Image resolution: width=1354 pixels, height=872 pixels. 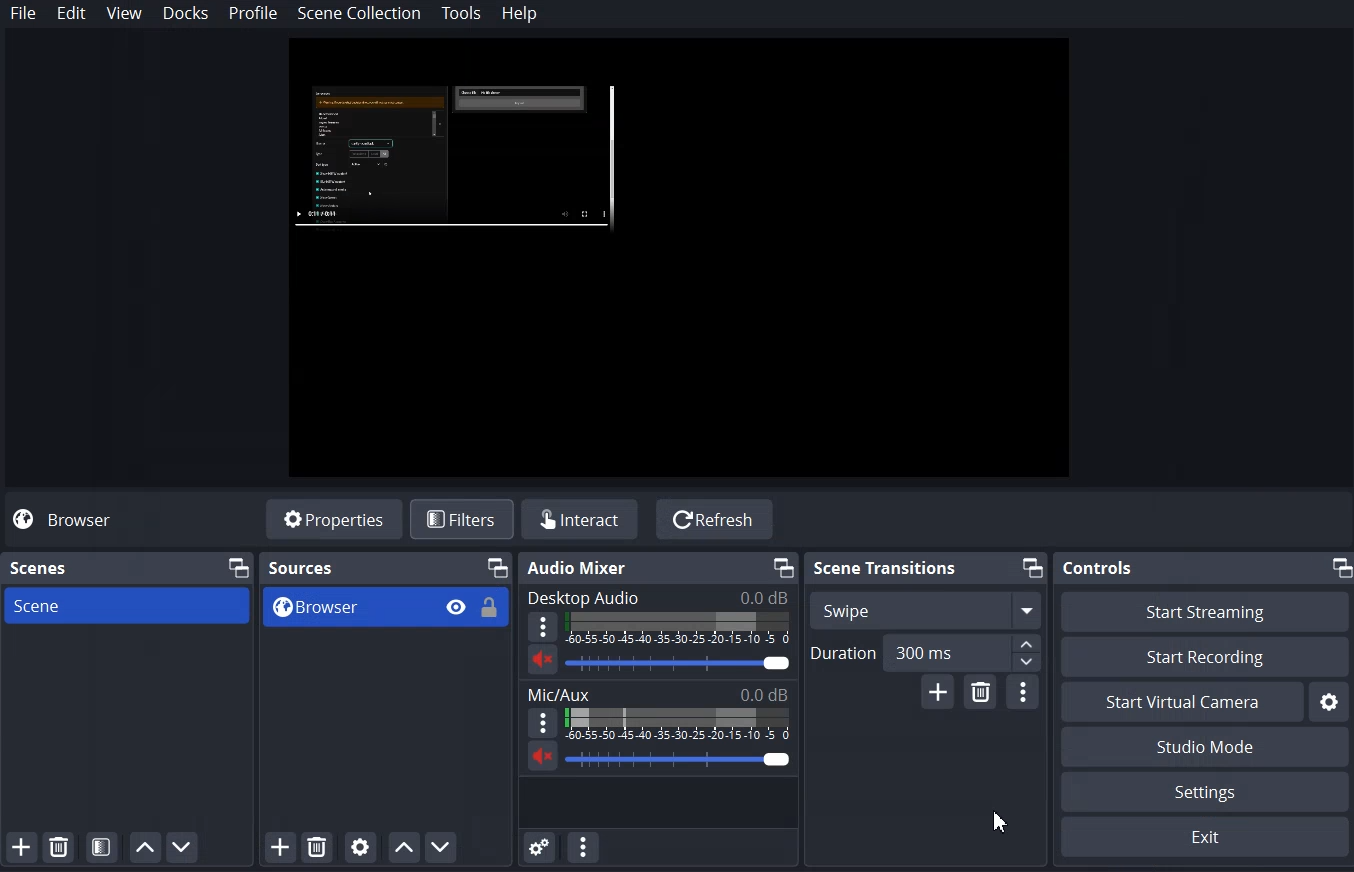 What do you see at coordinates (1206, 611) in the screenshot?
I see `Start Streaming` at bounding box center [1206, 611].